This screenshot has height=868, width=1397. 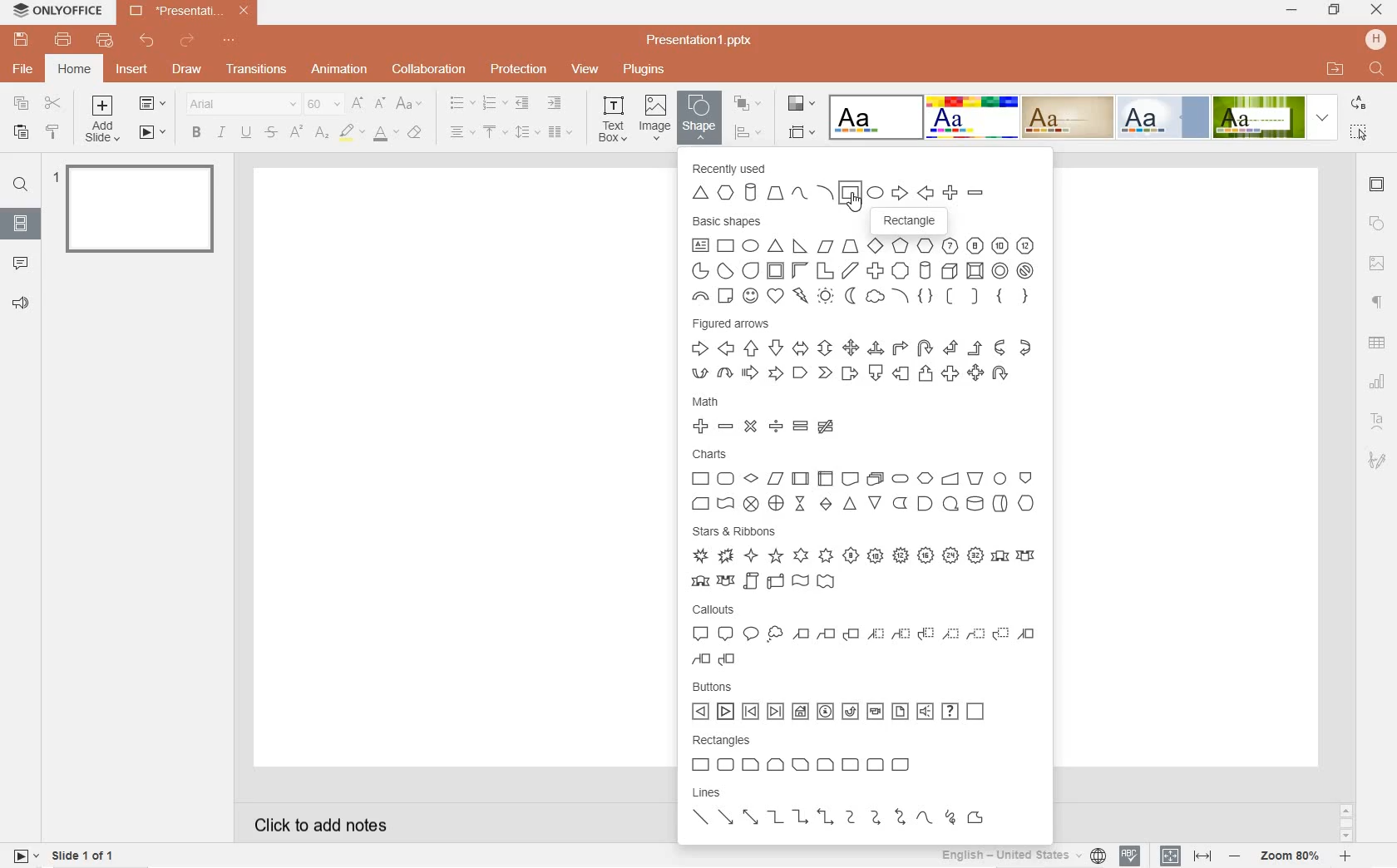 What do you see at coordinates (699, 712) in the screenshot?
I see `Back or Previous button` at bounding box center [699, 712].